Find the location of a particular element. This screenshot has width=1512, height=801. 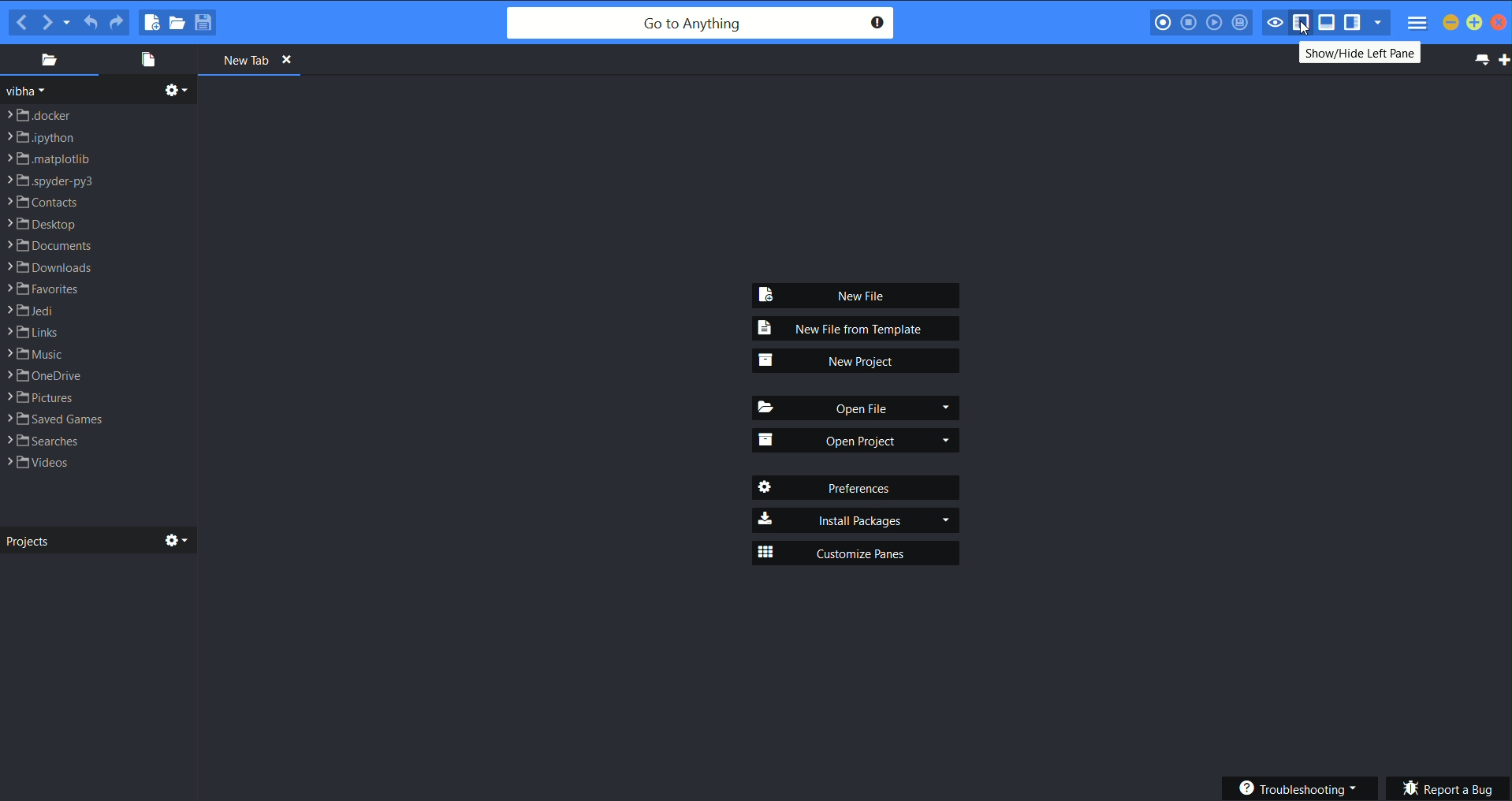

new tab is located at coordinates (253, 62).